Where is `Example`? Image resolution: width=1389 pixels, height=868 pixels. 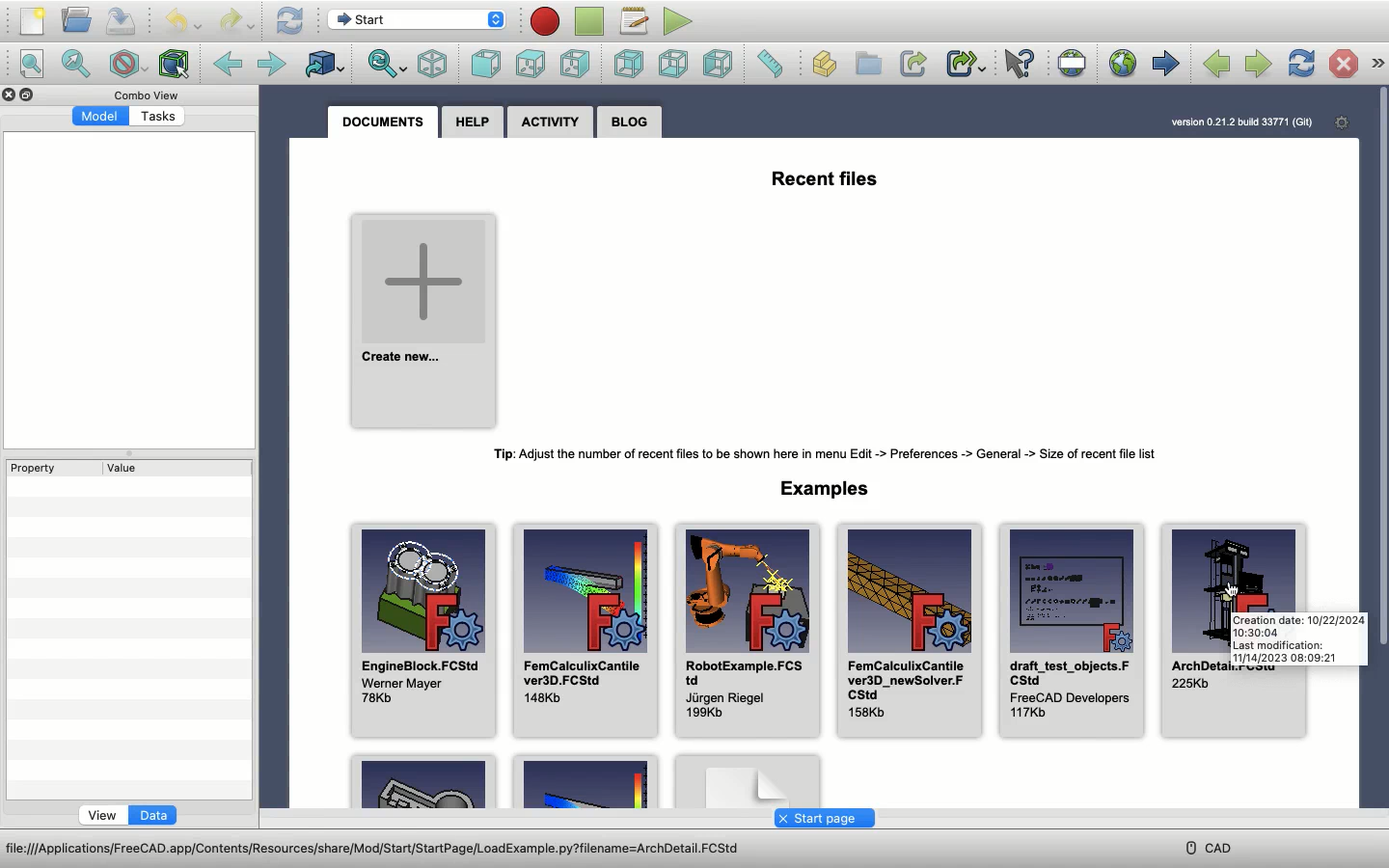
Example is located at coordinates (584, 781).